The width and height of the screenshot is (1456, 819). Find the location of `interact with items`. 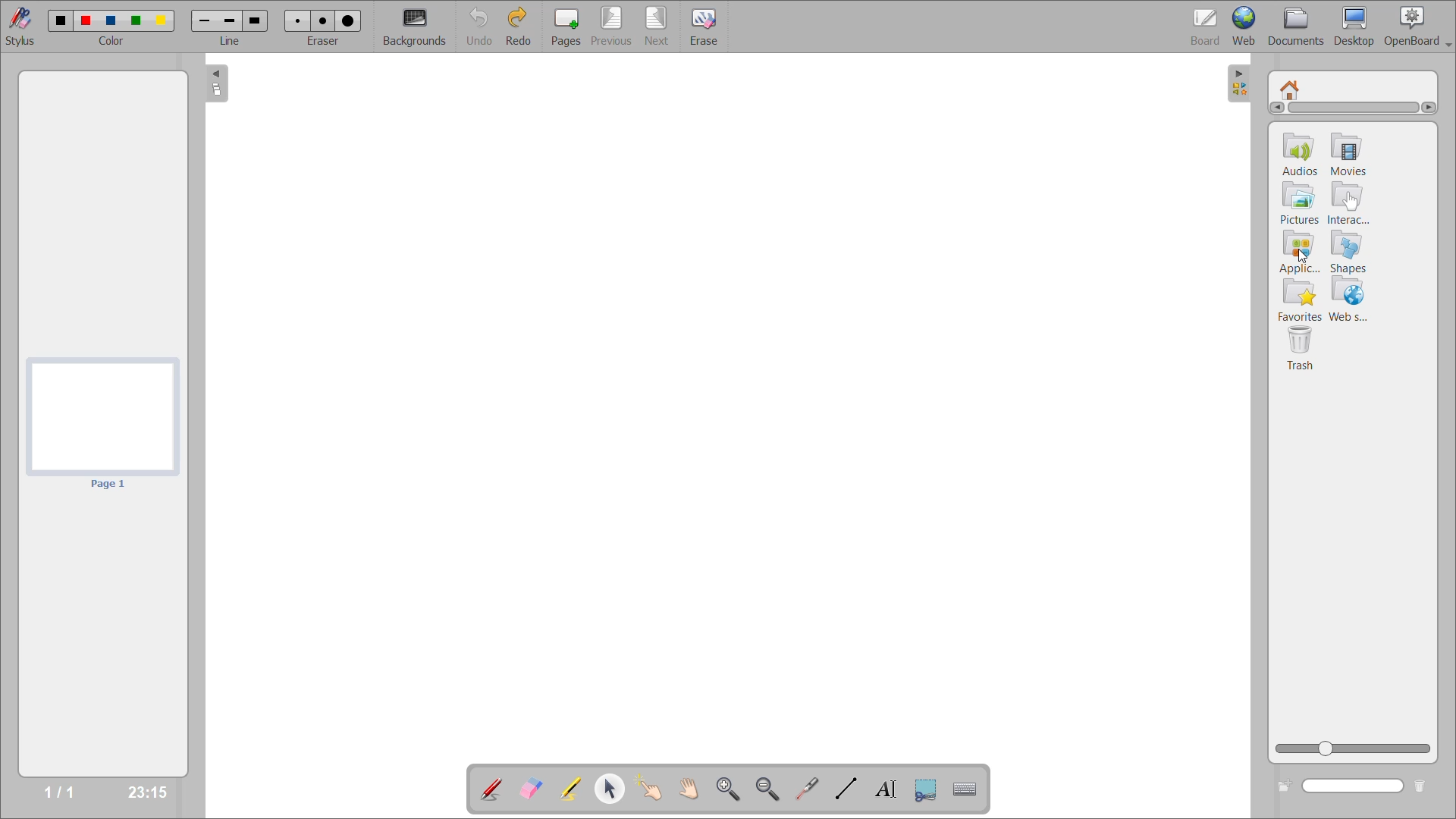

interact with items is located at coordinates (653, 789).